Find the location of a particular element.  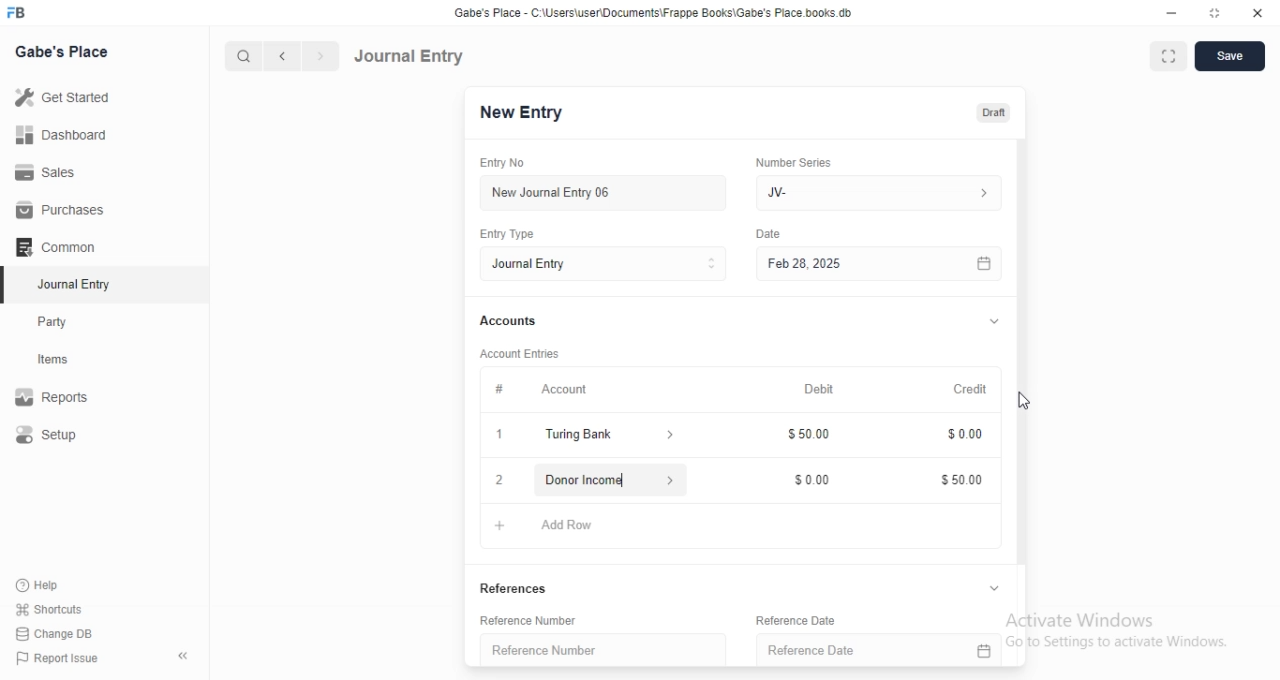

$000 is located at coordinates (967, 435).